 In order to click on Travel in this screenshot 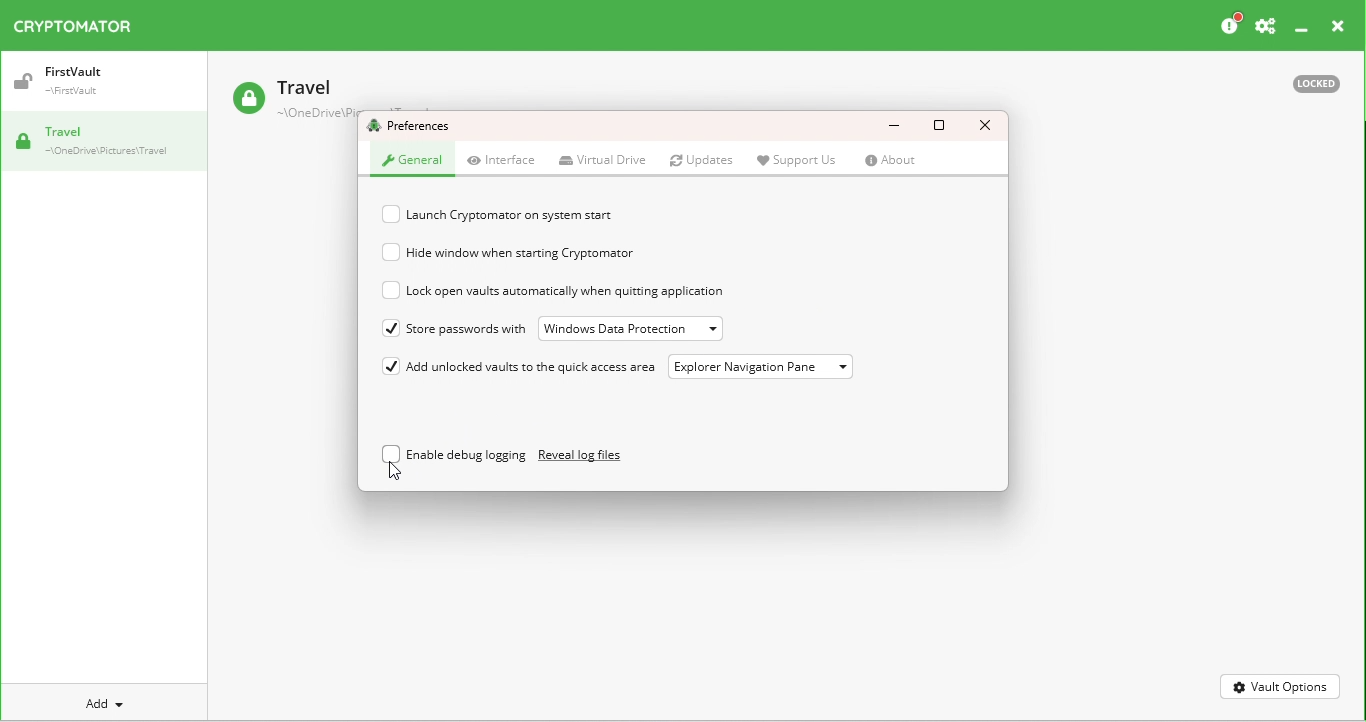, I will do `click(110, 142)`.